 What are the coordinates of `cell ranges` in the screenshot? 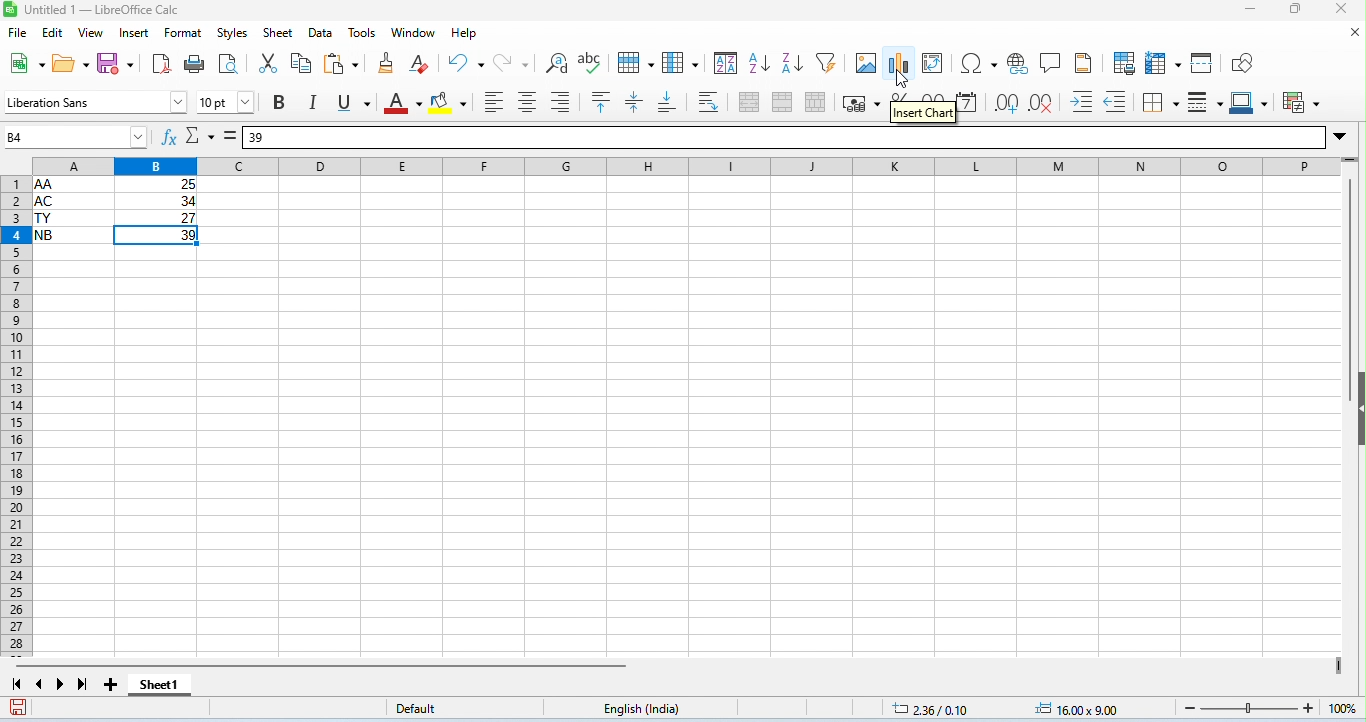 It's located at (115, 211).